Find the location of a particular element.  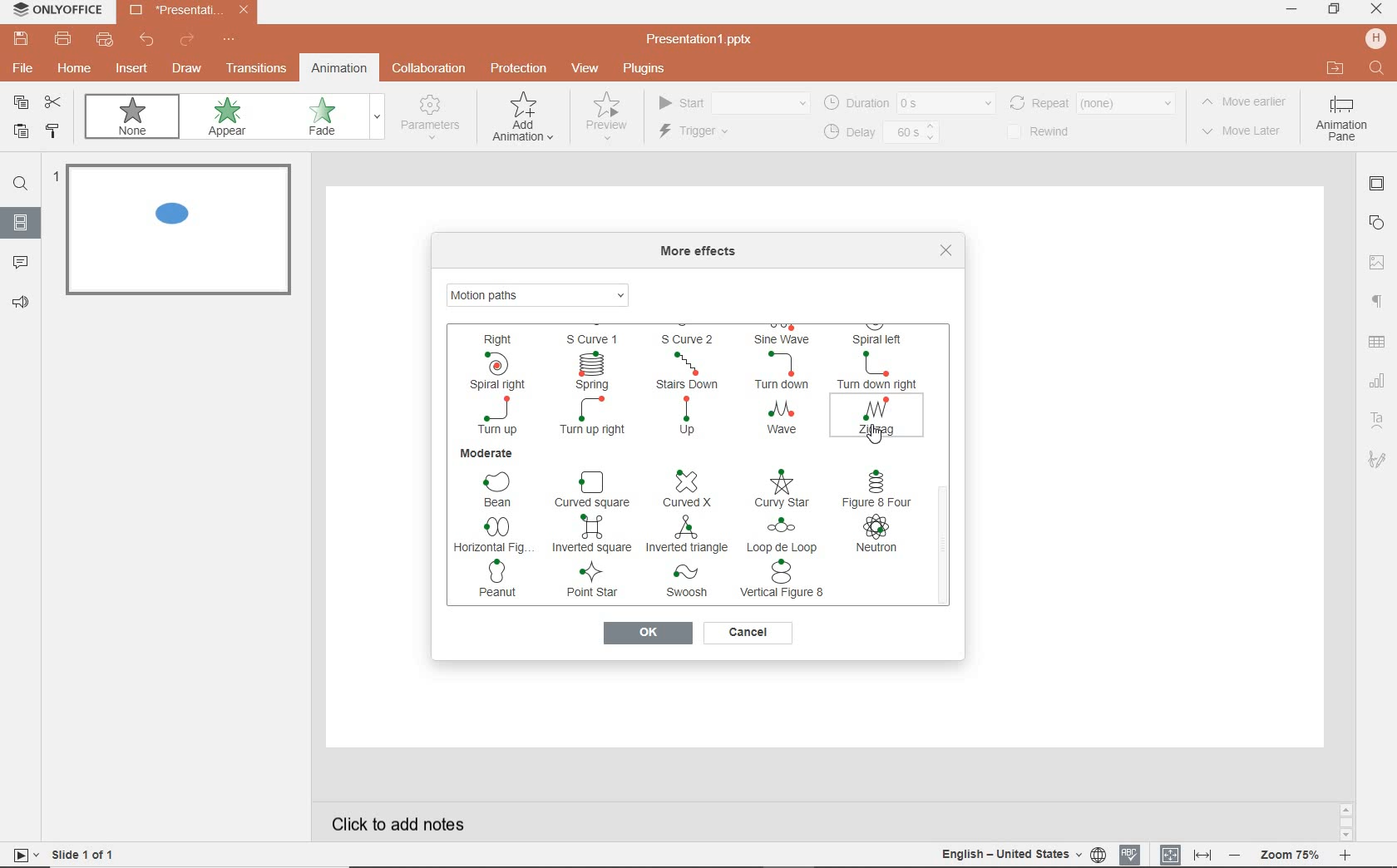

draw is located at coordinates (187, 68).